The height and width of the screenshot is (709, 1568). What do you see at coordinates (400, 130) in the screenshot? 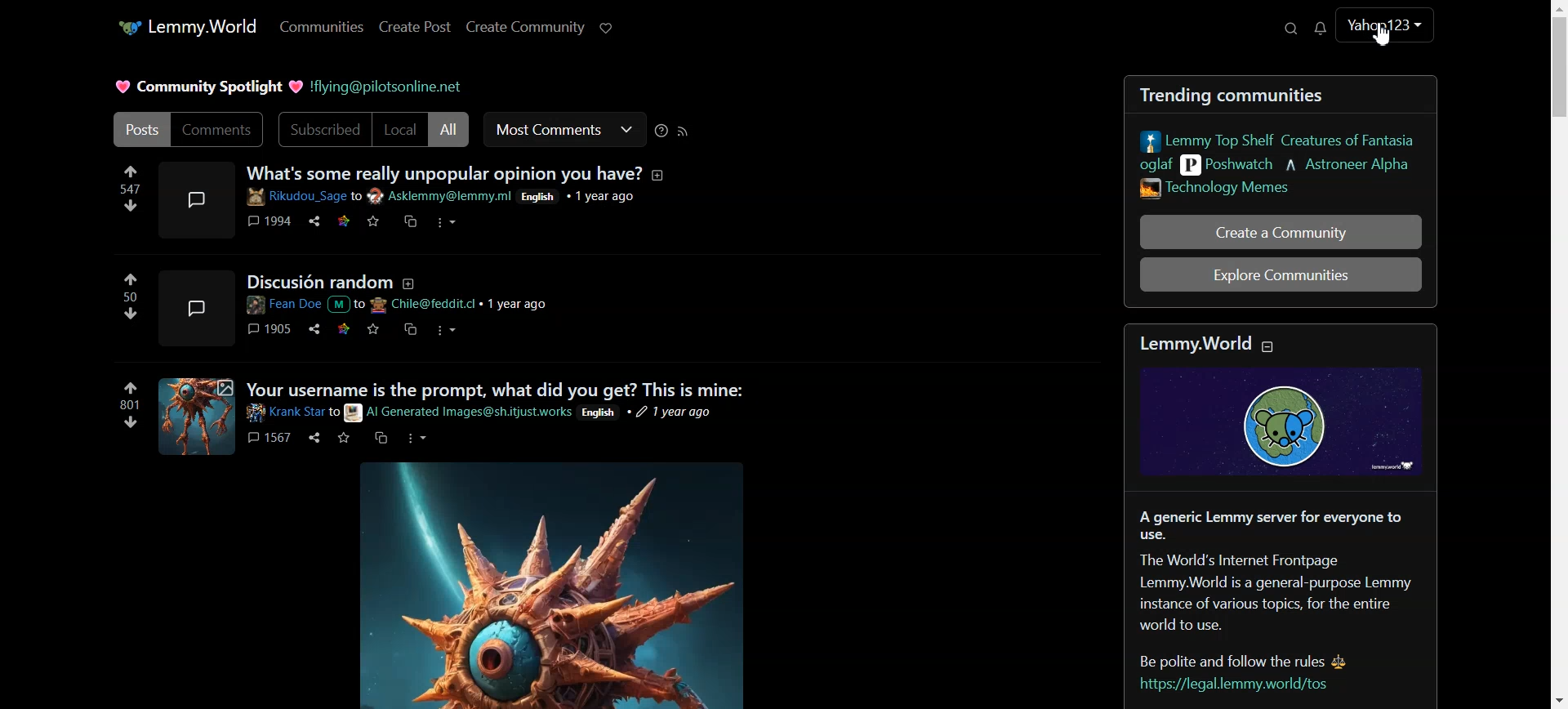
I see `Local` at bounding box center [400, 130].